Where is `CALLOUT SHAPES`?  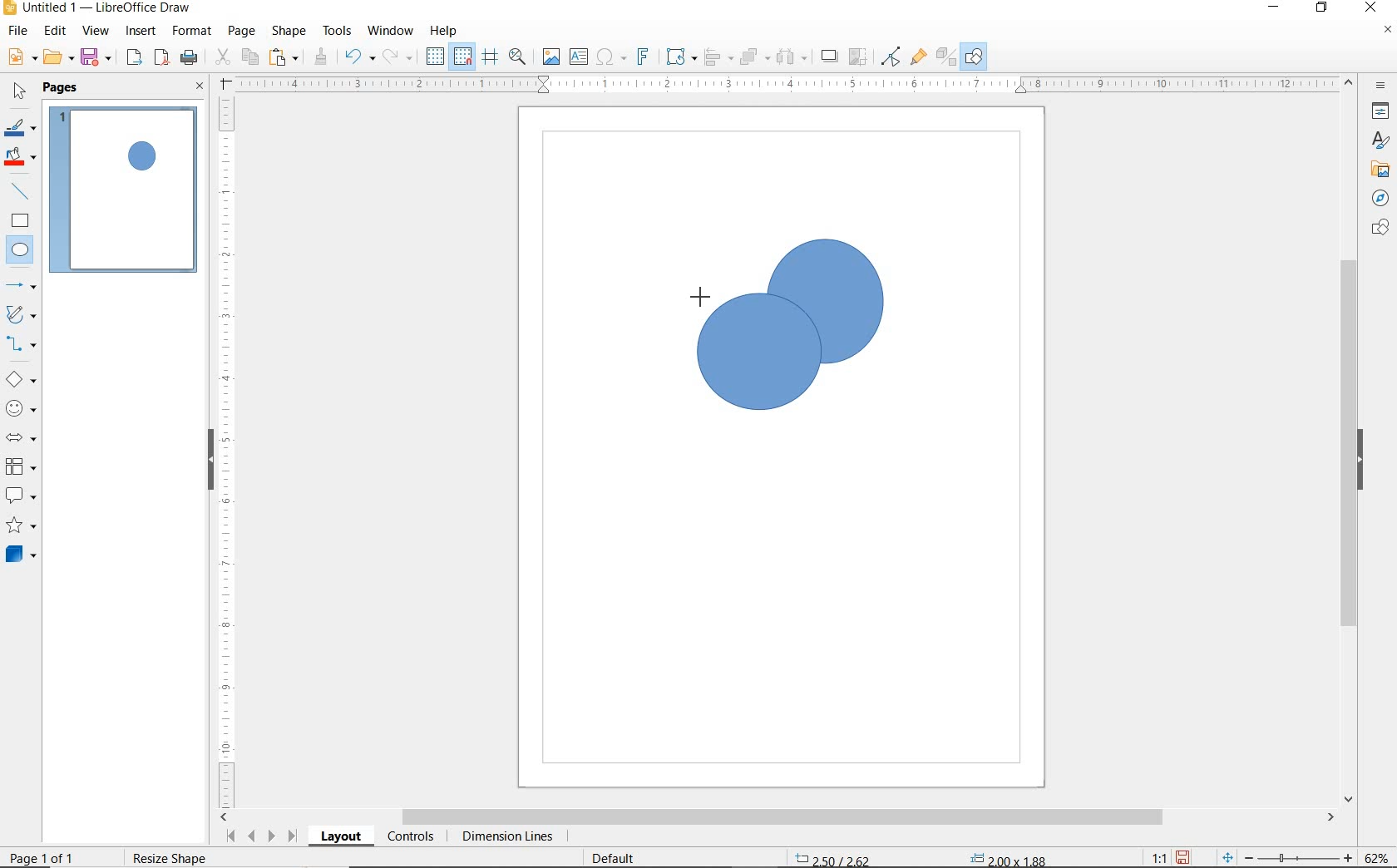
CALLOUT SHAPES is located at coordinates (20, 496).